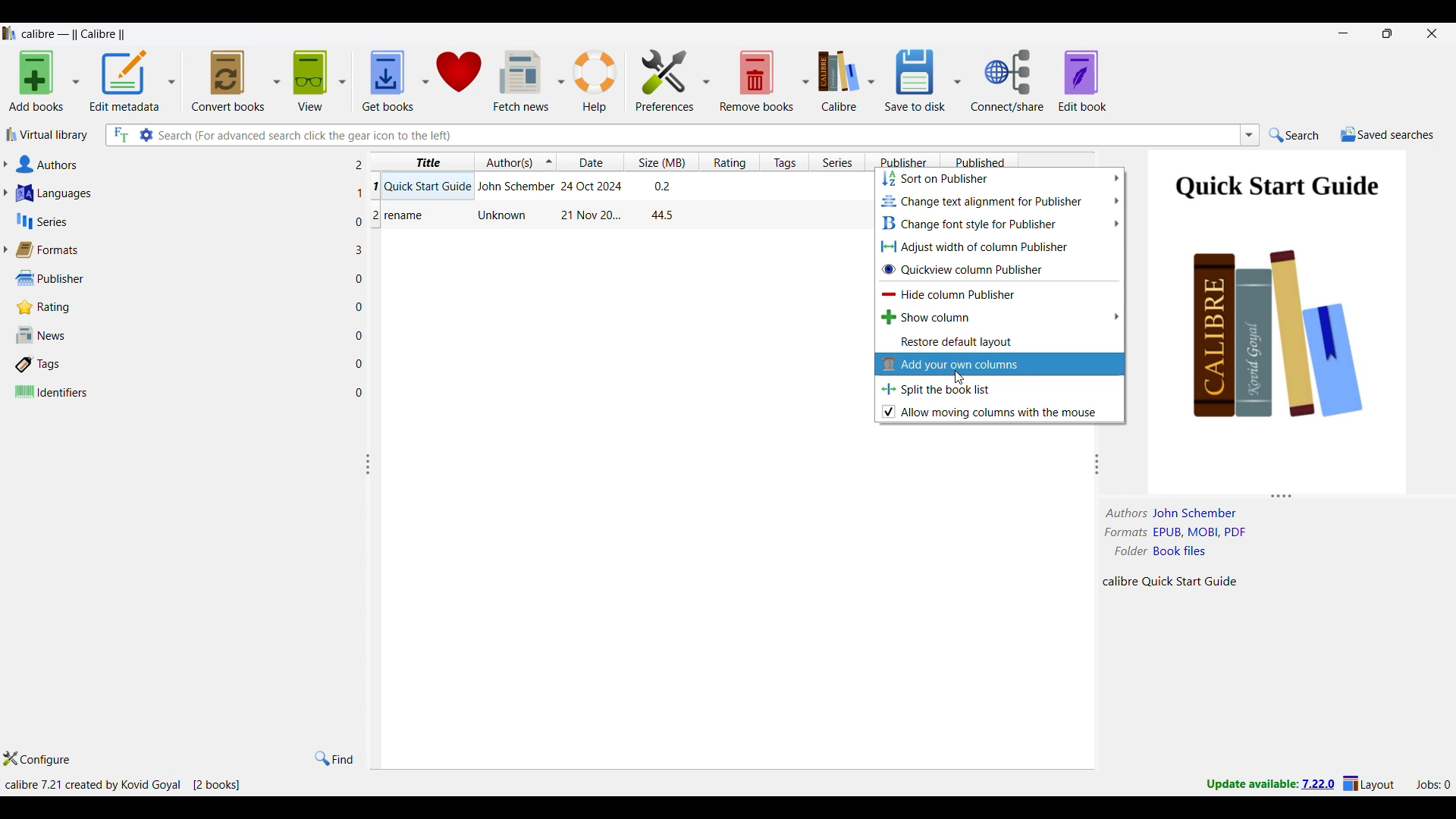 This screenshot has width=1456, height=819. I want to click on 0, so click(362, 335).